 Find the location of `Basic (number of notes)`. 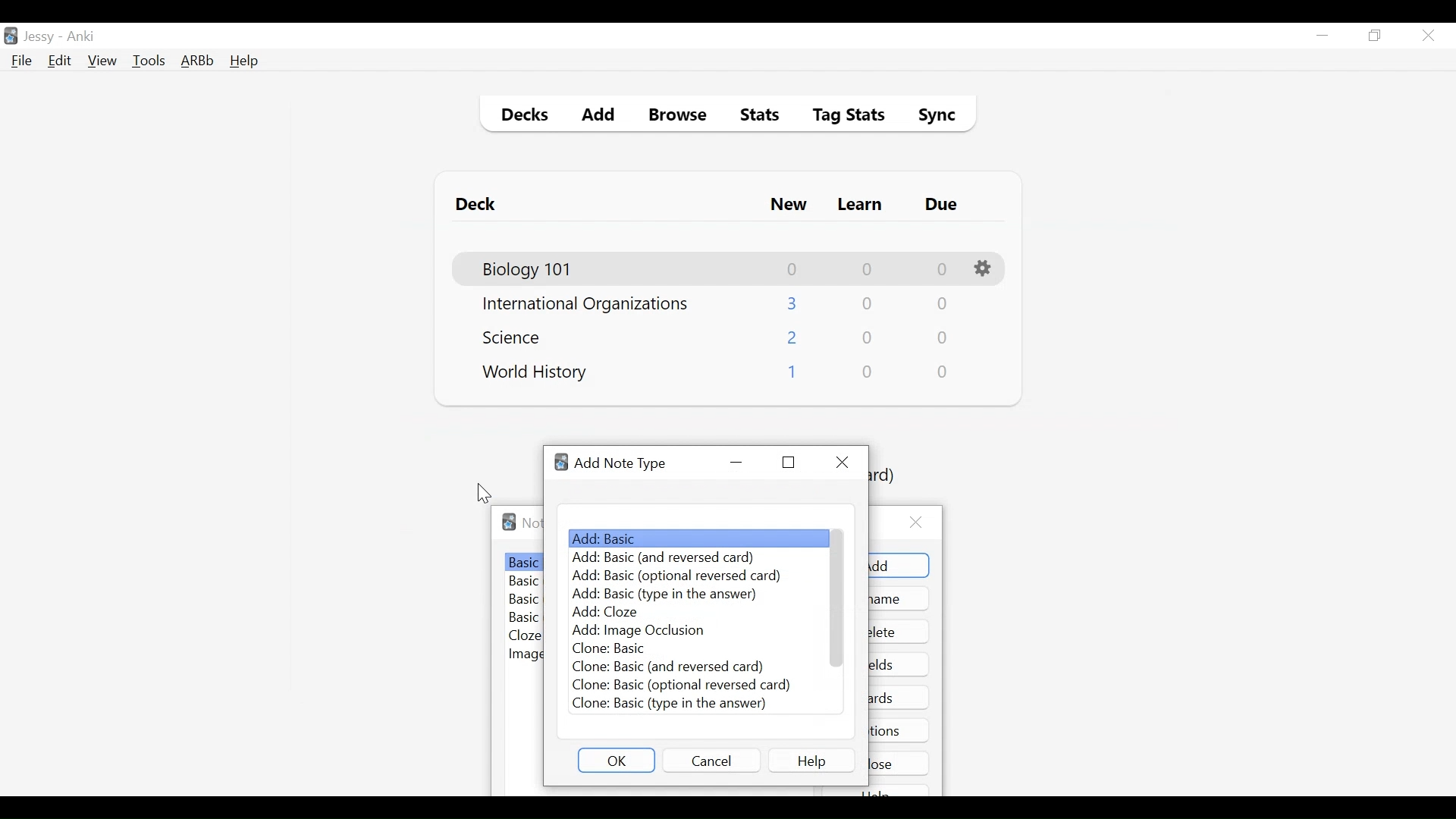

Basic (number of notes) is located at coordinates (524, 562).